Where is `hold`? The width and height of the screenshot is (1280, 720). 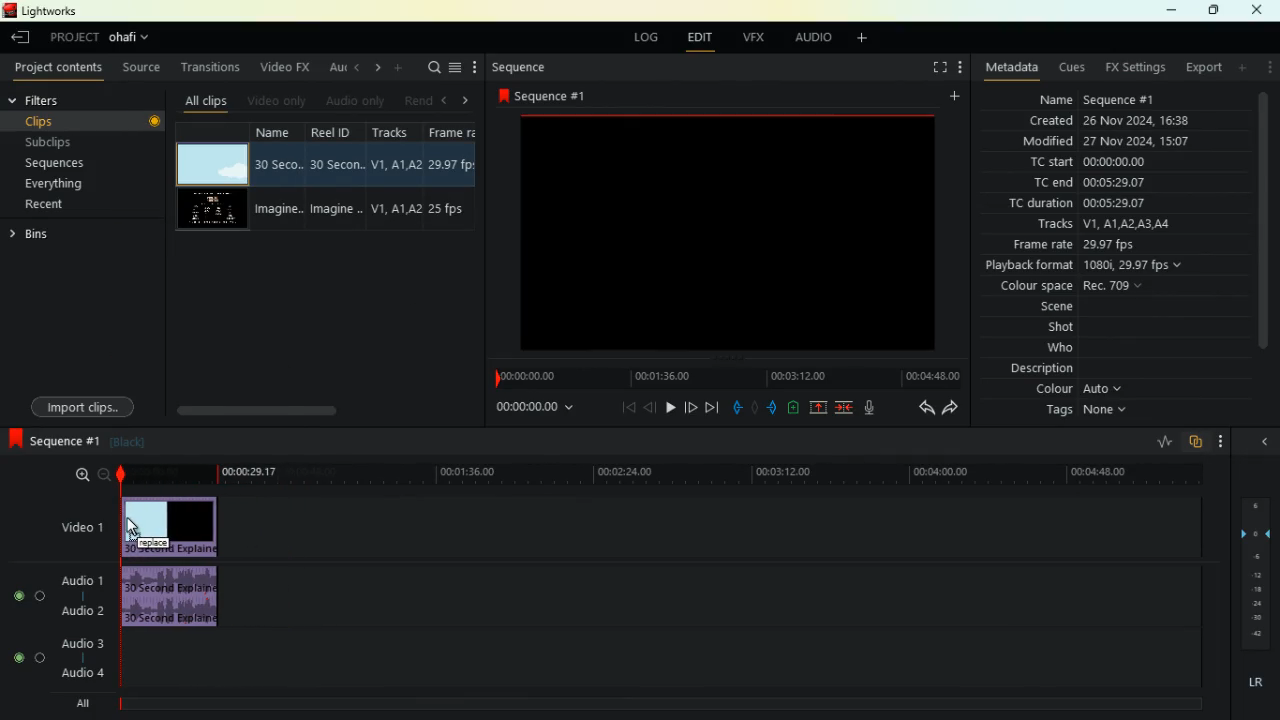 hold is located at coordinates (754, 407).